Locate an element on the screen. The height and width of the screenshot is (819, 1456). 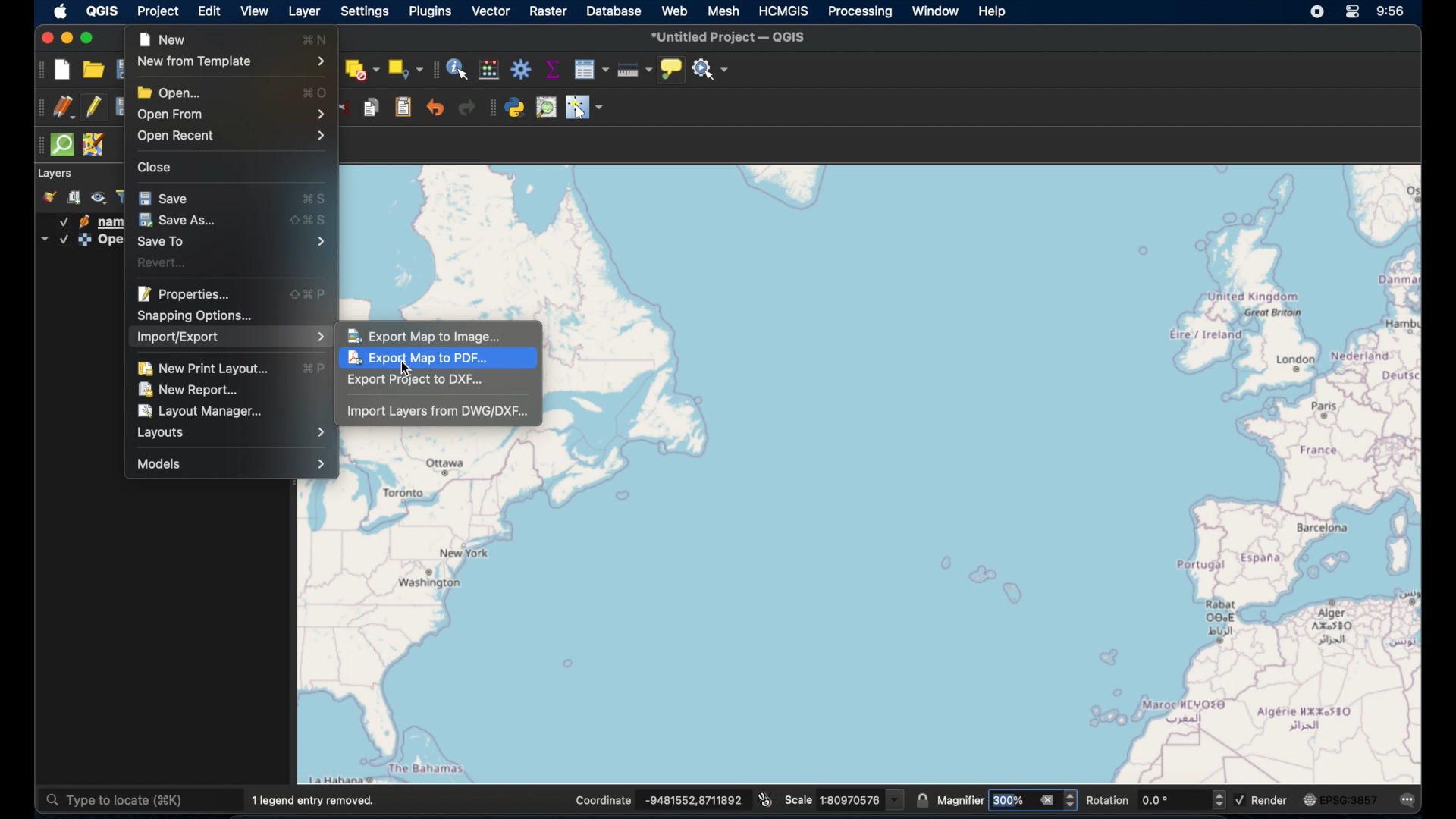
show map tips is located at coordinates (673, 70).